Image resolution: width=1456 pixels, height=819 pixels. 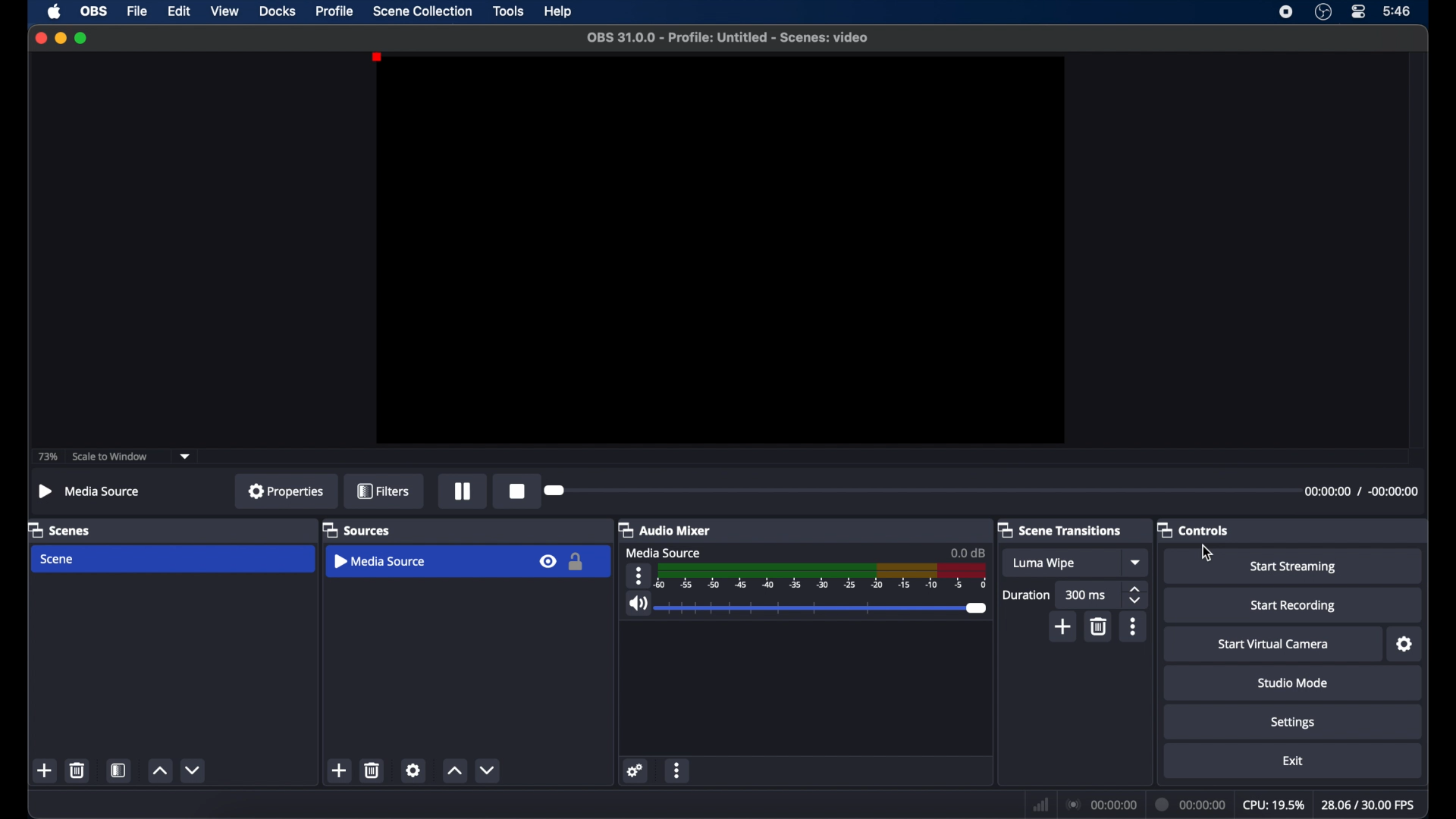 What do you see at coordinates (90, 491) in the screenshot?
I see `media source` at bounding box center [90, 491].